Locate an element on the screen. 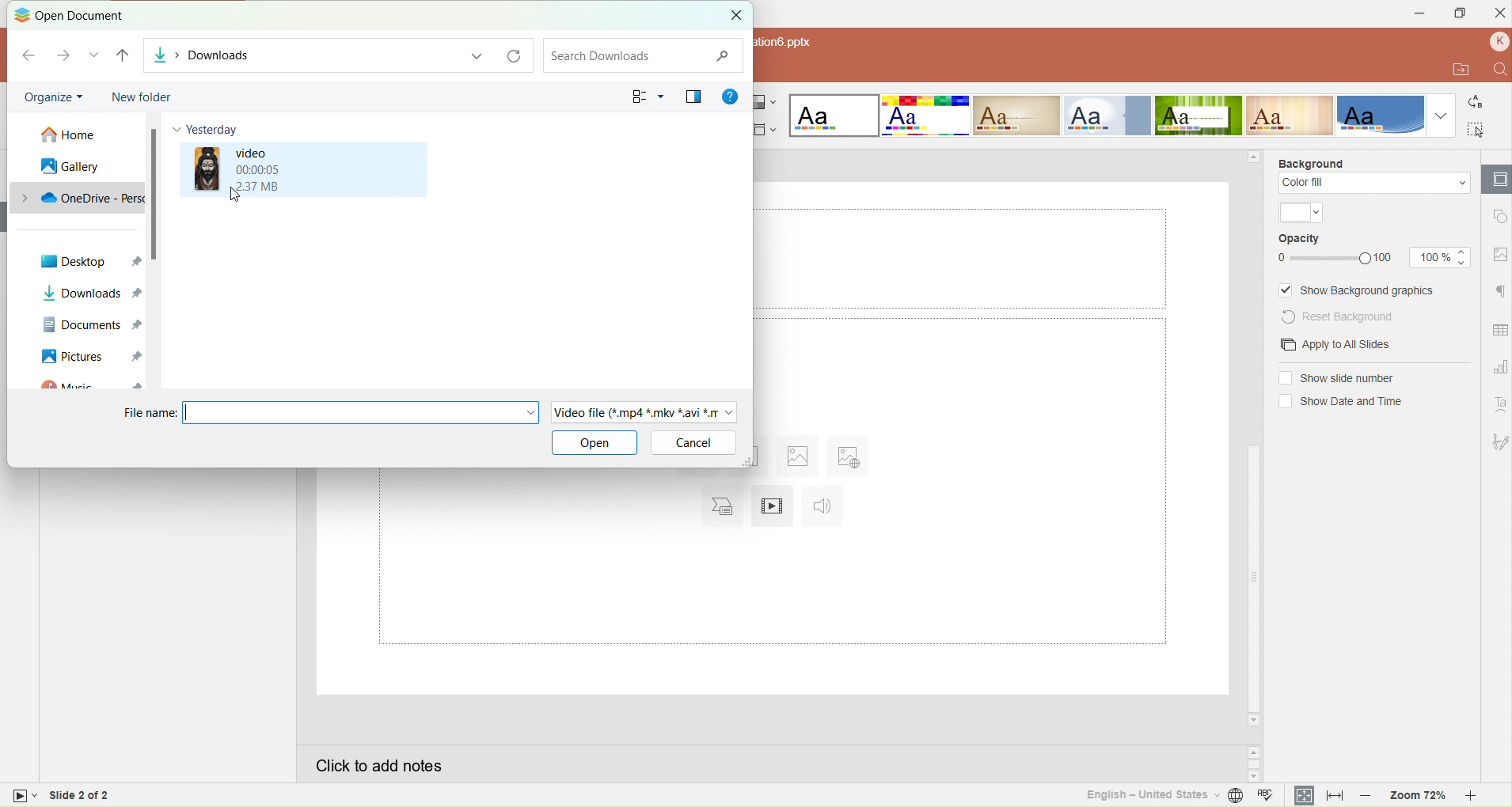  File name is located at coordinates (150, 413).